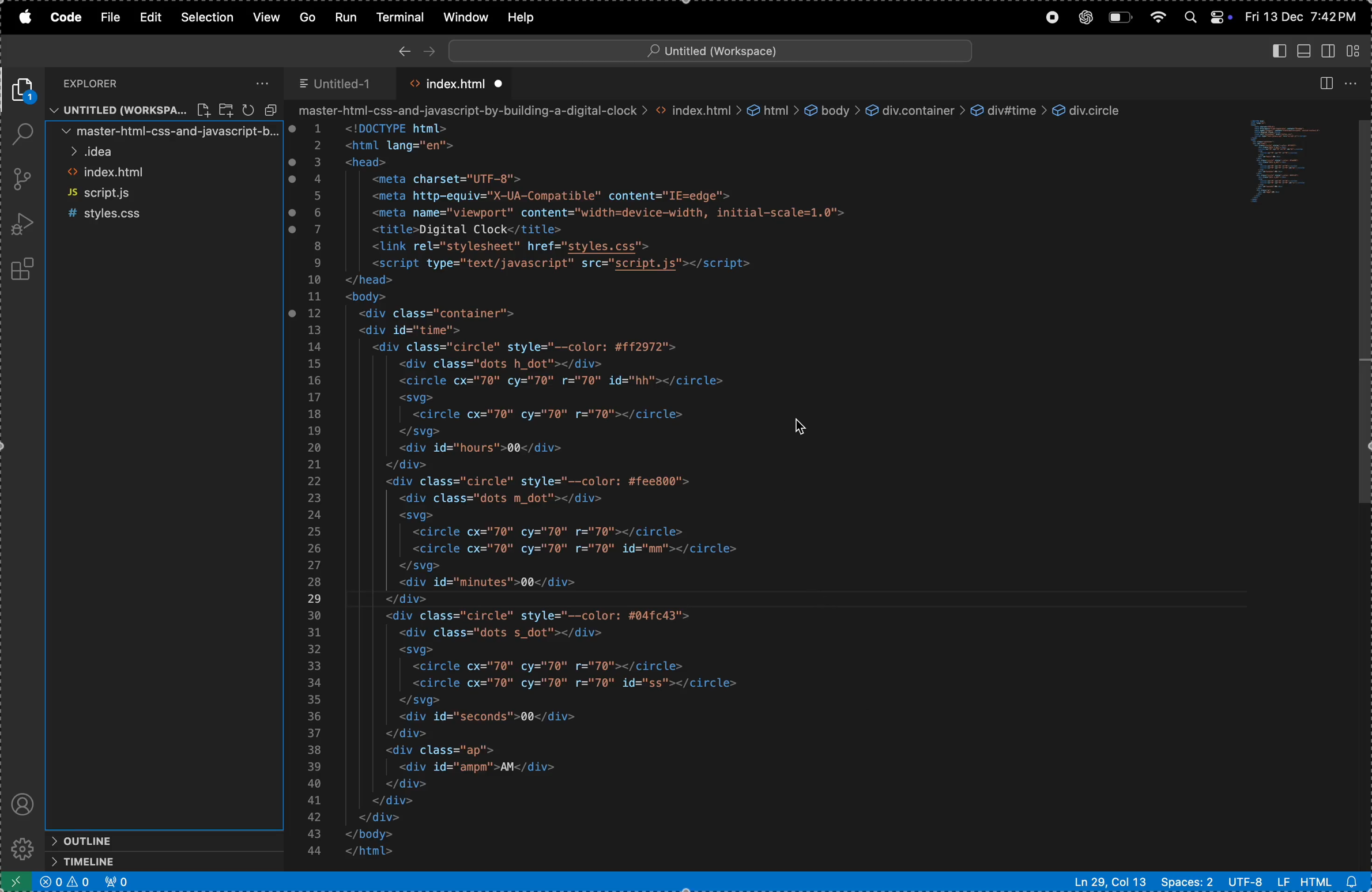 Image resolution: width=1372 pixels, height=892 pixels. Describe the element at coordinates (1305, 50) in the screenshot. I see `toggle panel` at that location.